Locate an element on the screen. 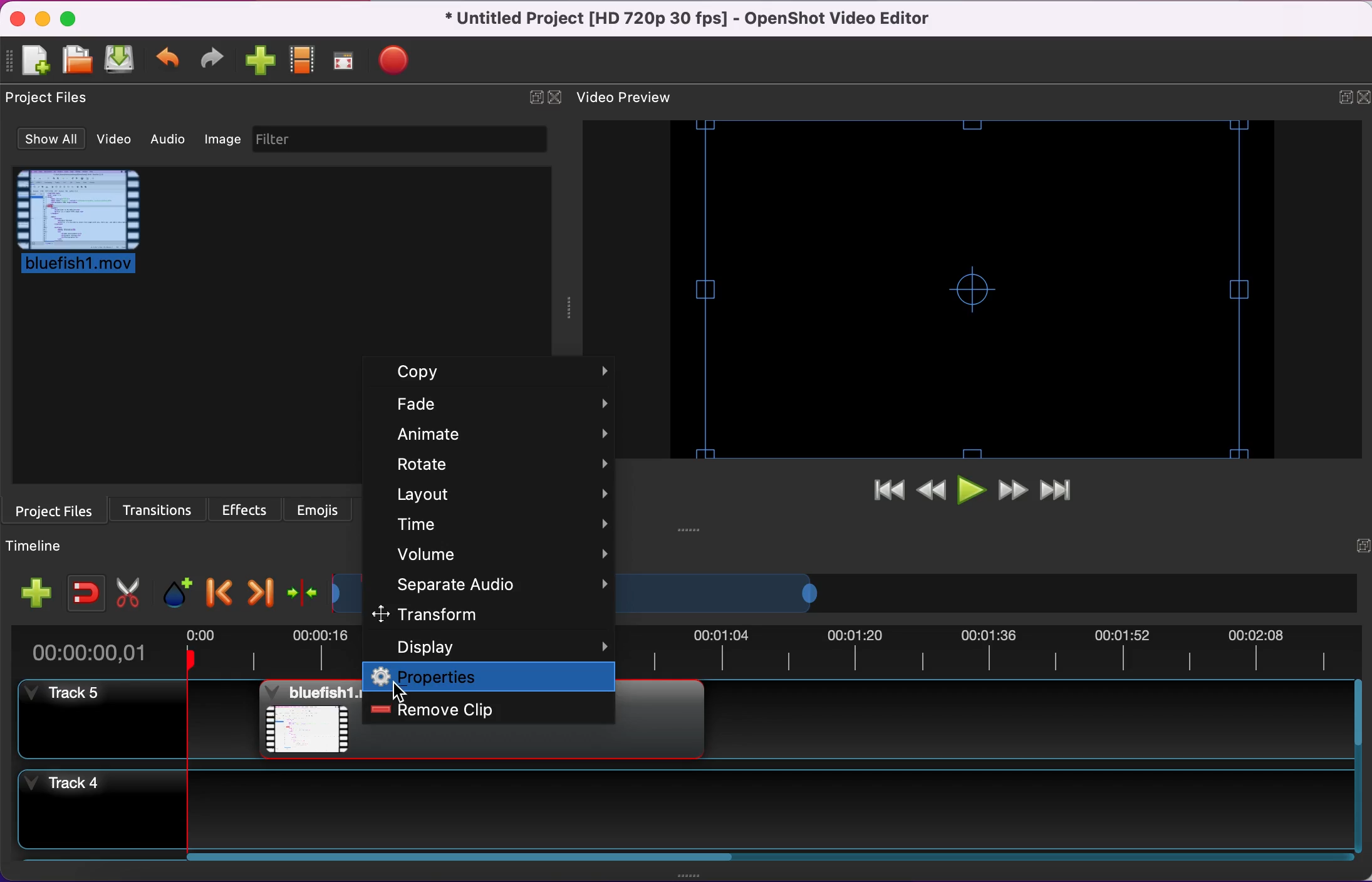 The width and height of the screenshot is (1372, 882). image is located at coordinates (221, 138).